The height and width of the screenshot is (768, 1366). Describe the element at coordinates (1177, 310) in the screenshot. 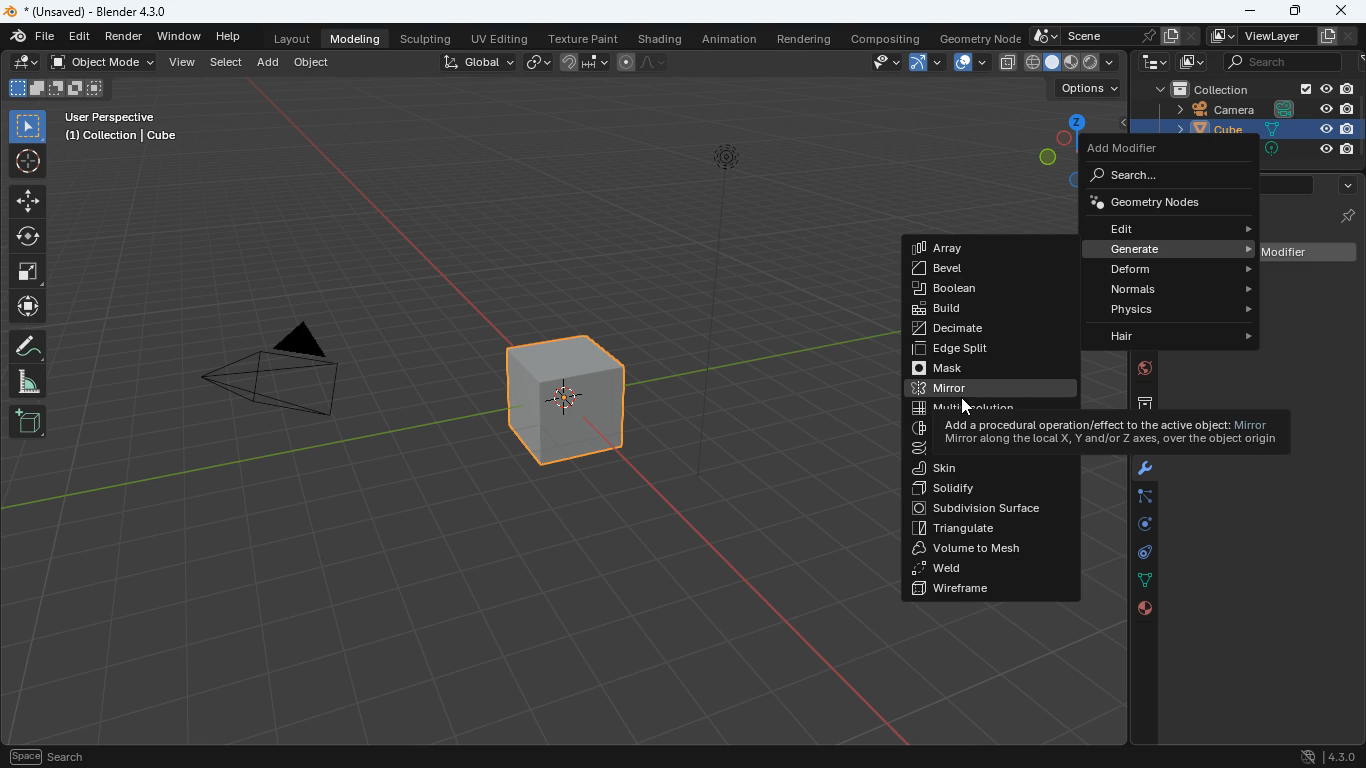

I see `physics` at that location.